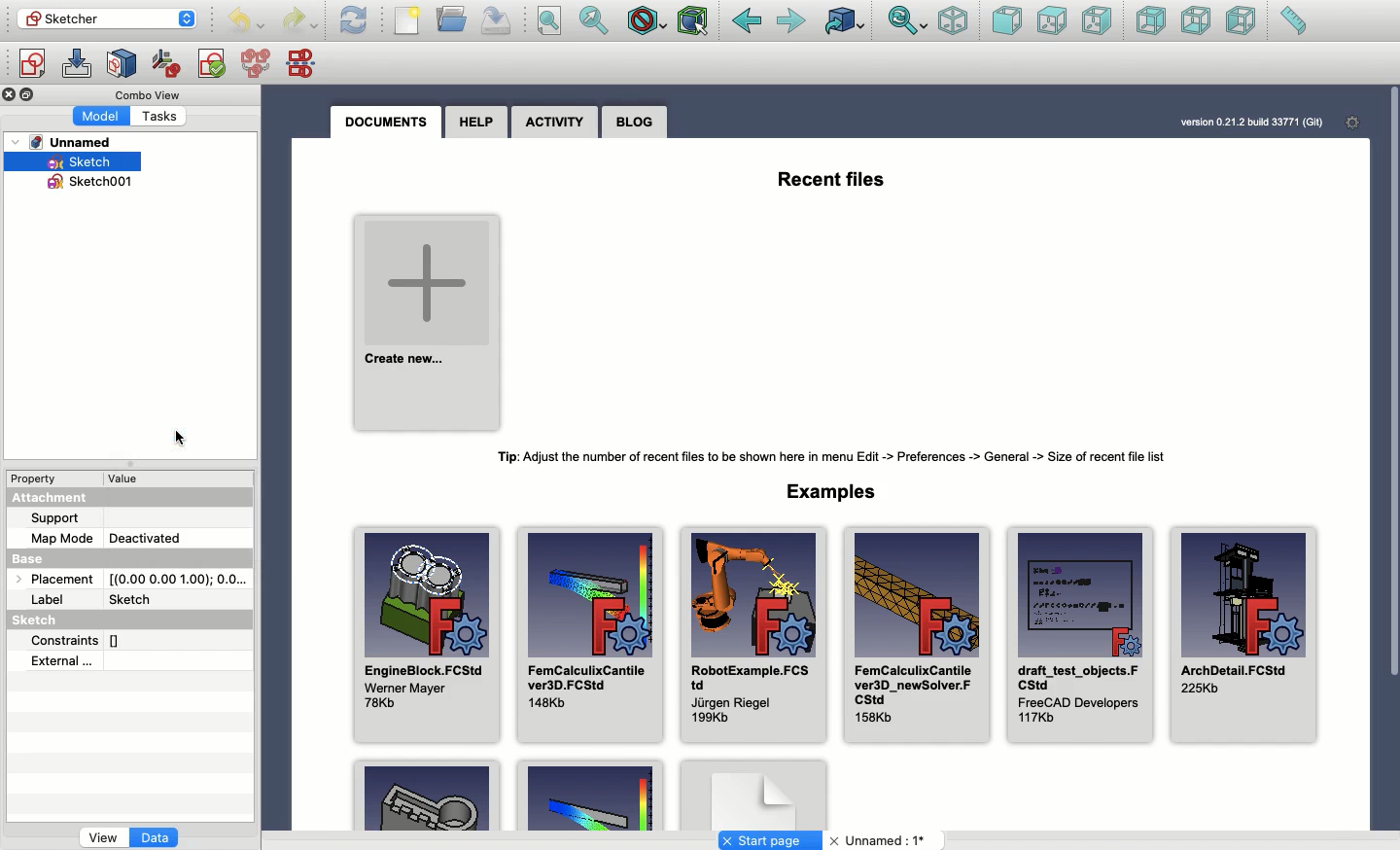 The height and width of the screenshot is (850, 1400). What do you see at coordinates (145, 535) in the screenshot?
I see `Deactivated` at bounding box center [145, 535].